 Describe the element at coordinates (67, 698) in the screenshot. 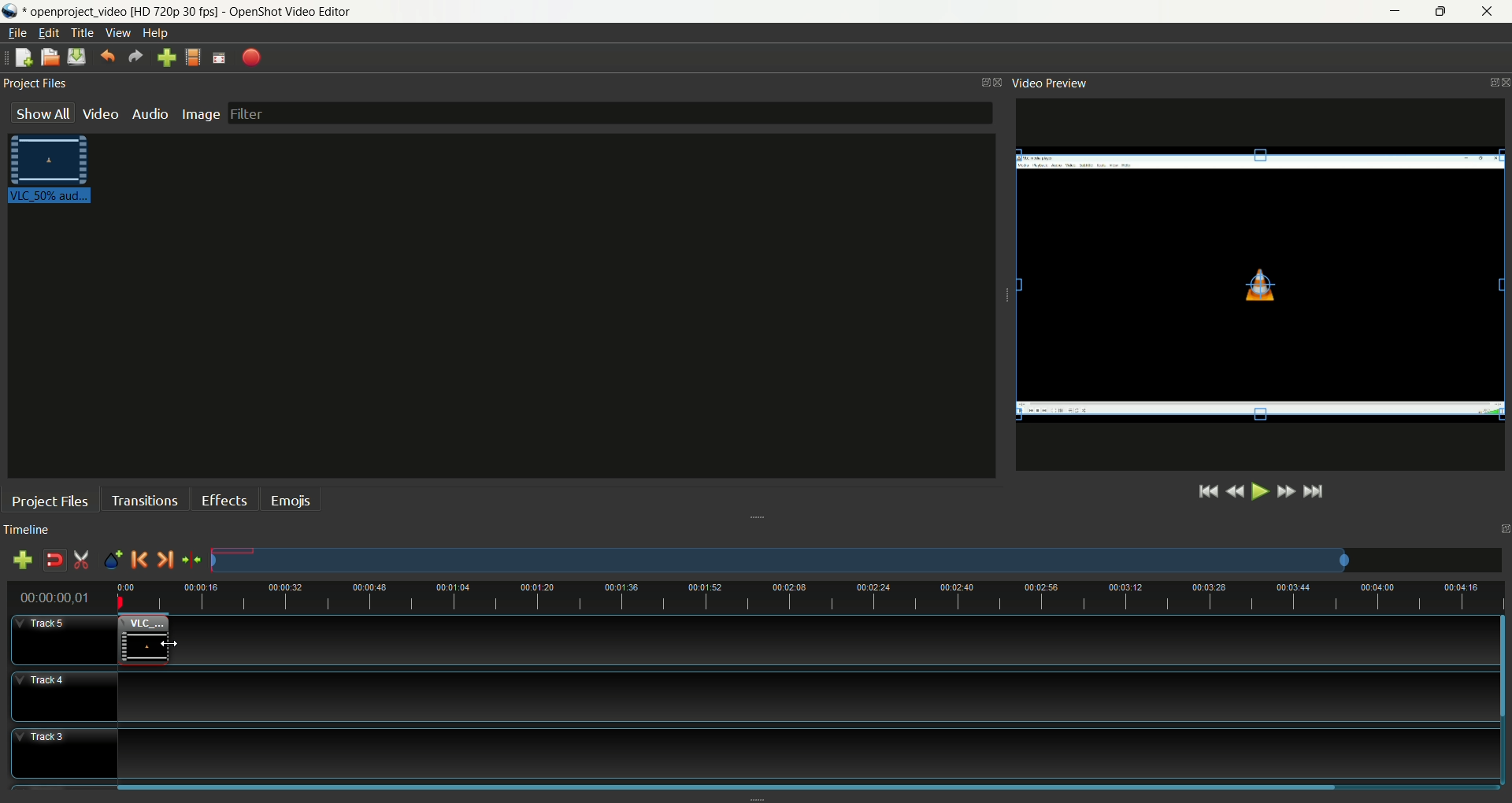

I see `track4` at that location.